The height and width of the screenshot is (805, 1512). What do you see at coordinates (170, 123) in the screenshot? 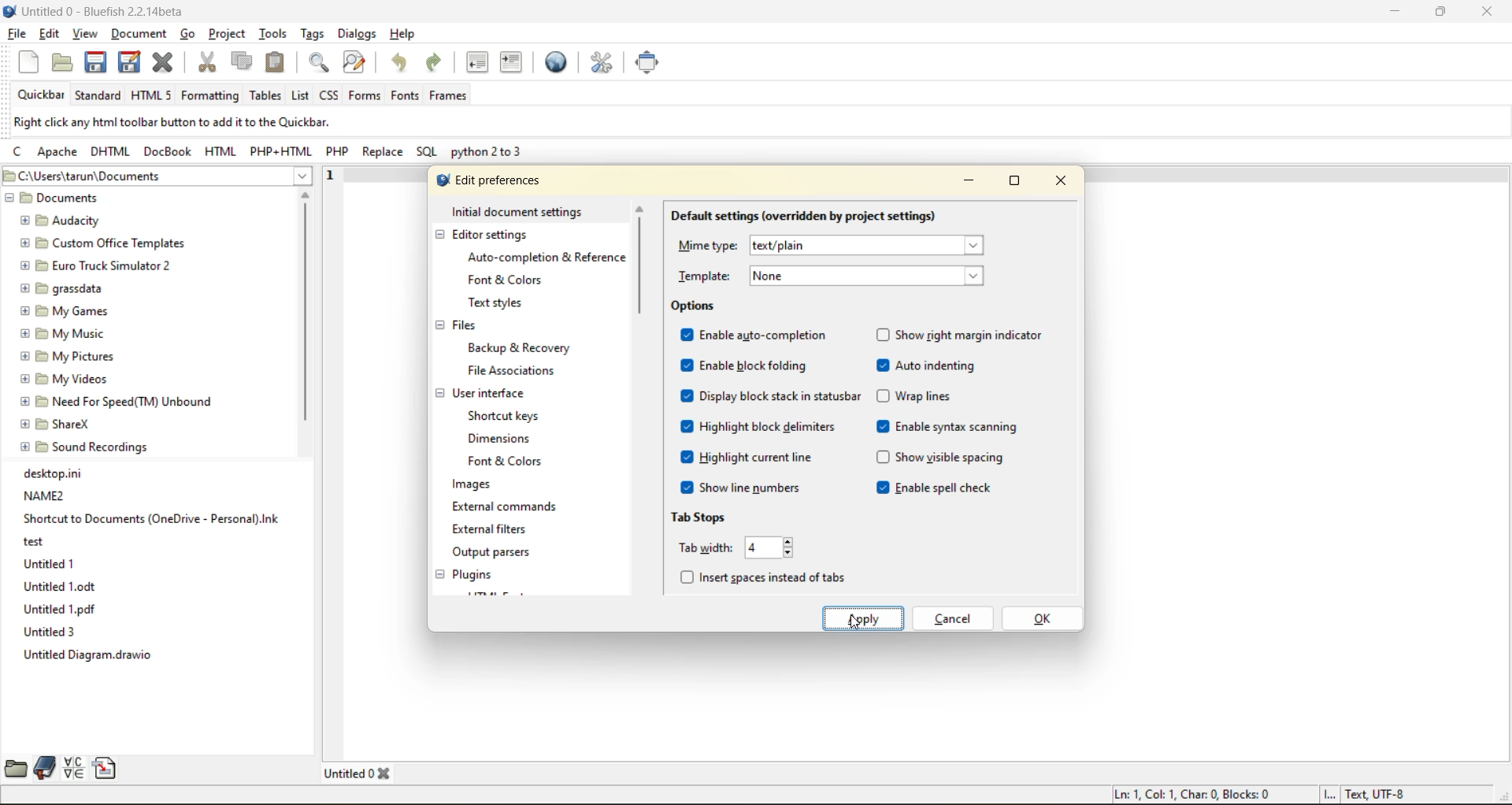
I see `metadata` at bounding box center [170, 123].